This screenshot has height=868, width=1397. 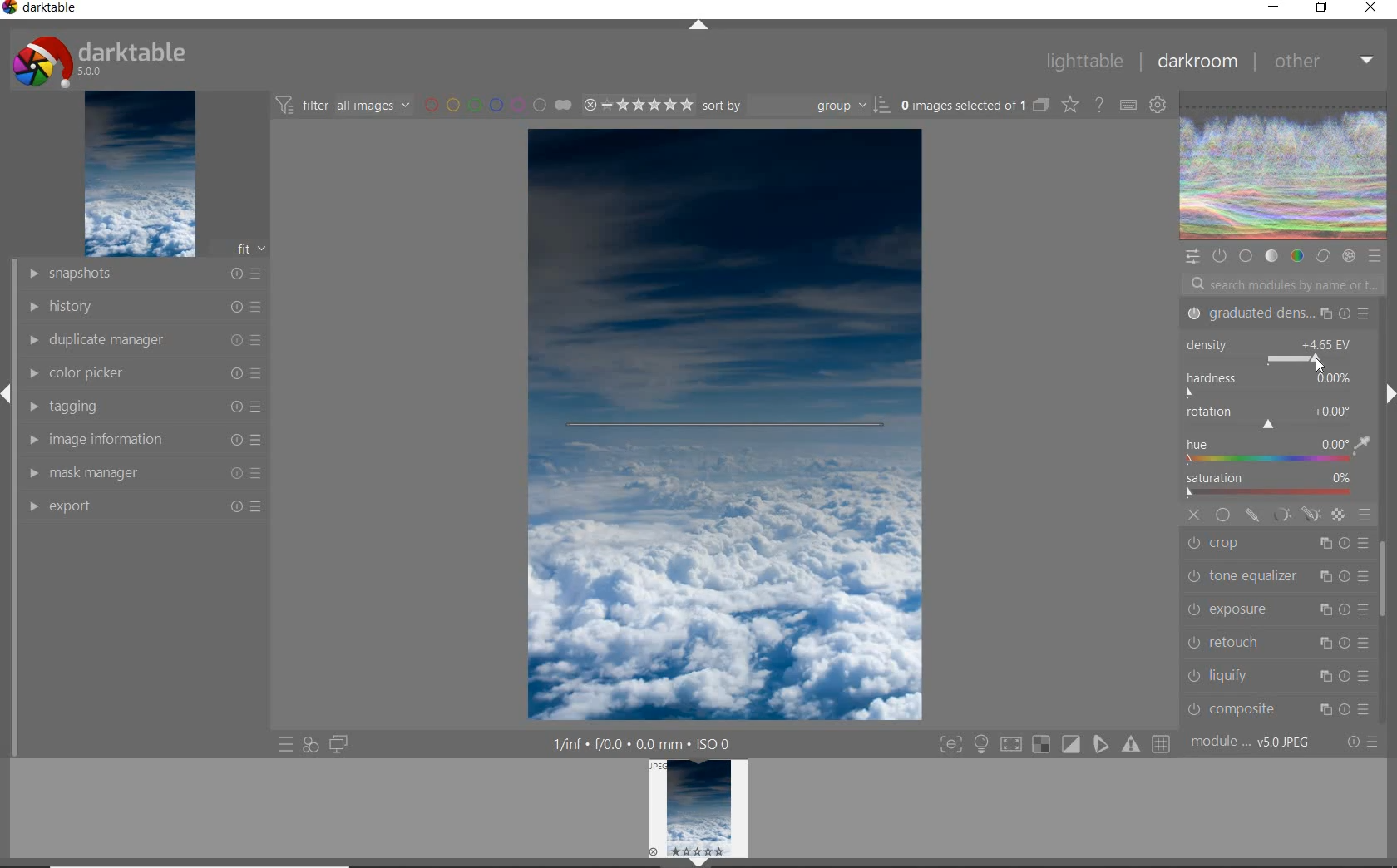 I want to click on CURSOR POSITION, so click(x=1320, y=367).